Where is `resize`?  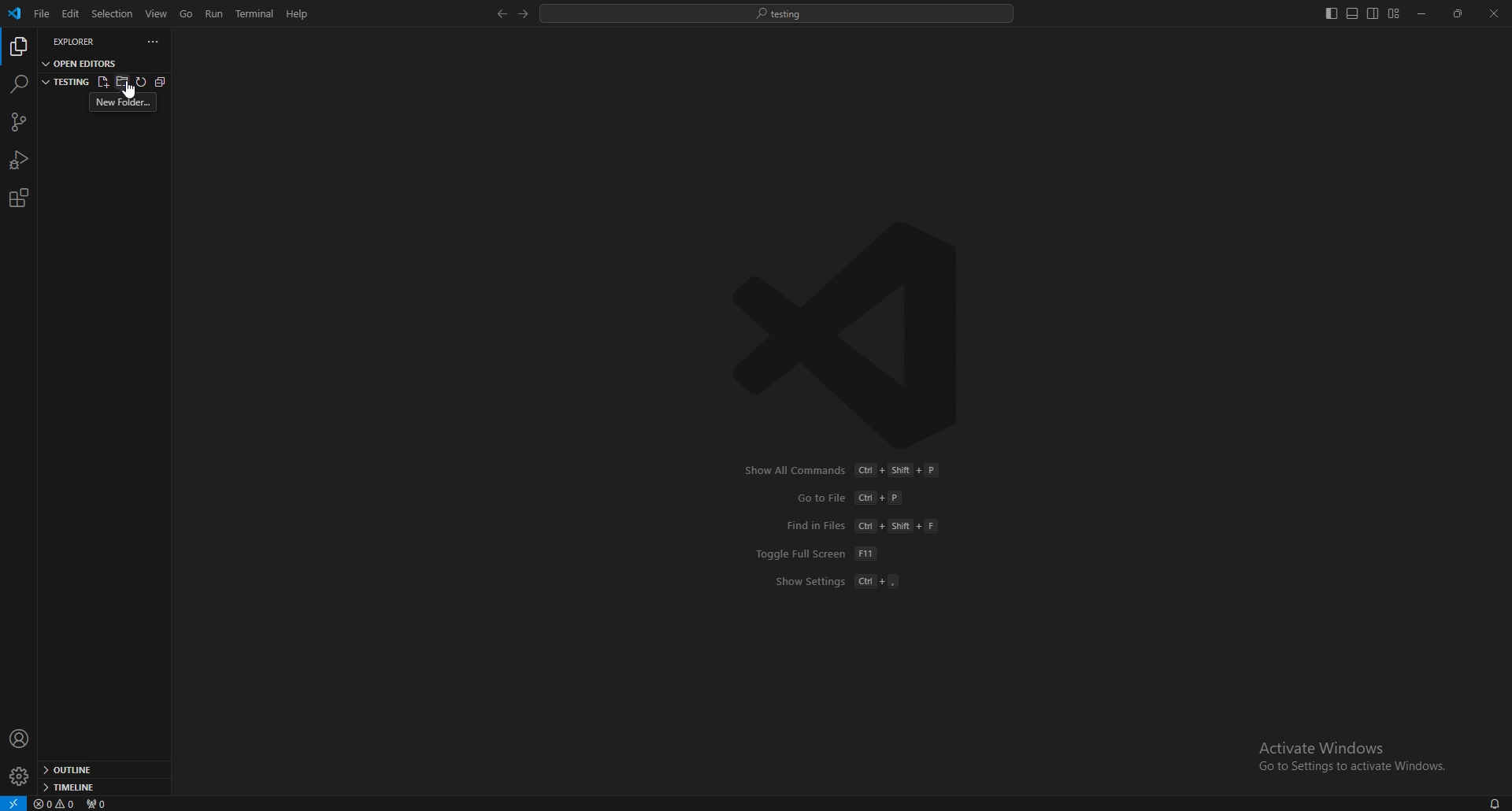
resize is located at coordinates (1459, 14).